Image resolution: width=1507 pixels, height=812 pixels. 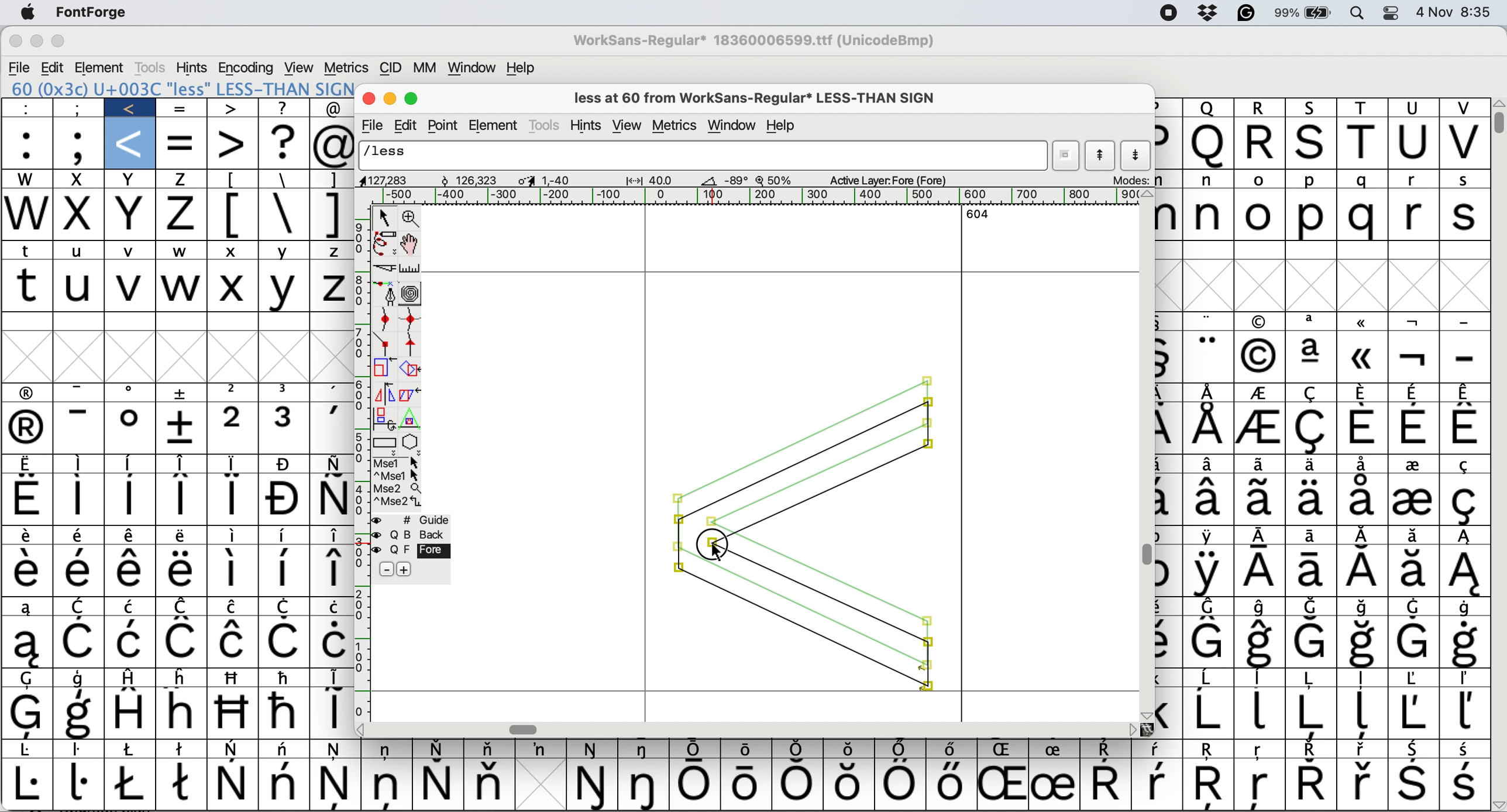 What do you see at coordinates (329, 605) in the screenshot?
I see `Symbol` at bounding box center [329, 605].